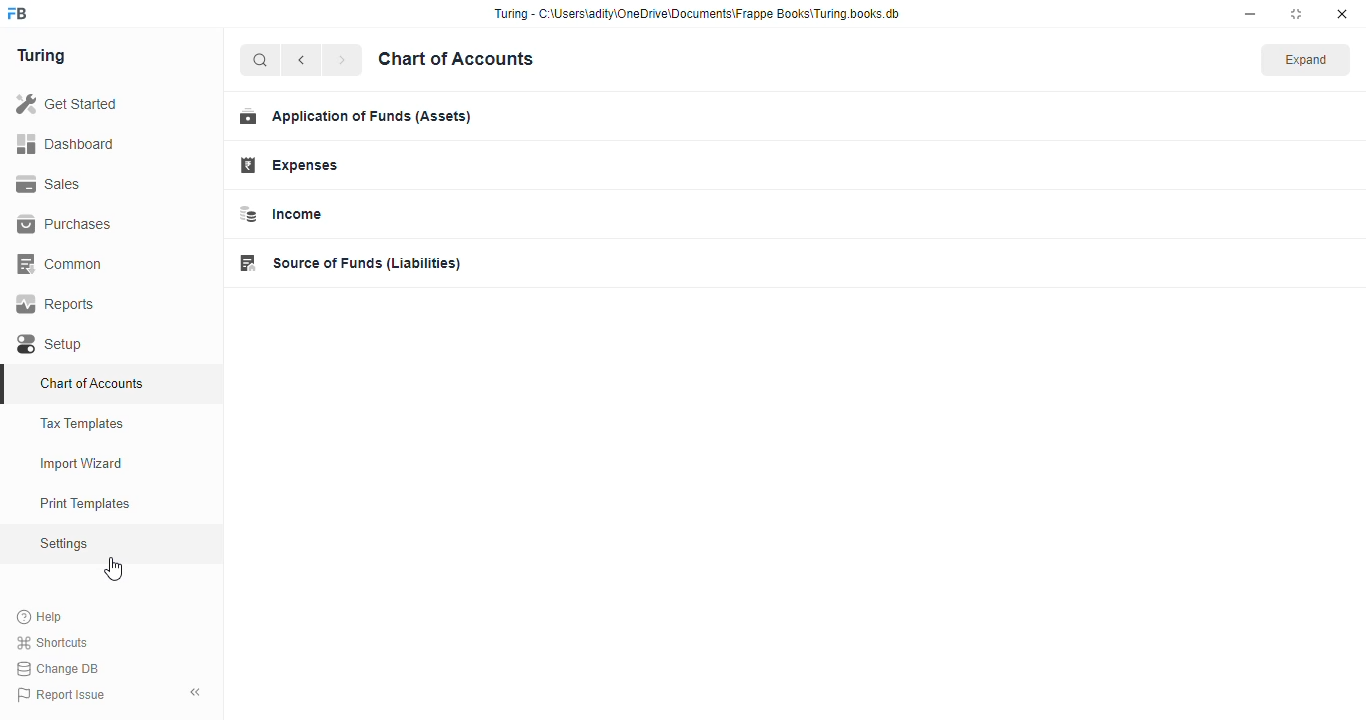  What do you see at coordinates (43, 616) in the screenshot?
I see `Help` at bounding box center [43, 616].